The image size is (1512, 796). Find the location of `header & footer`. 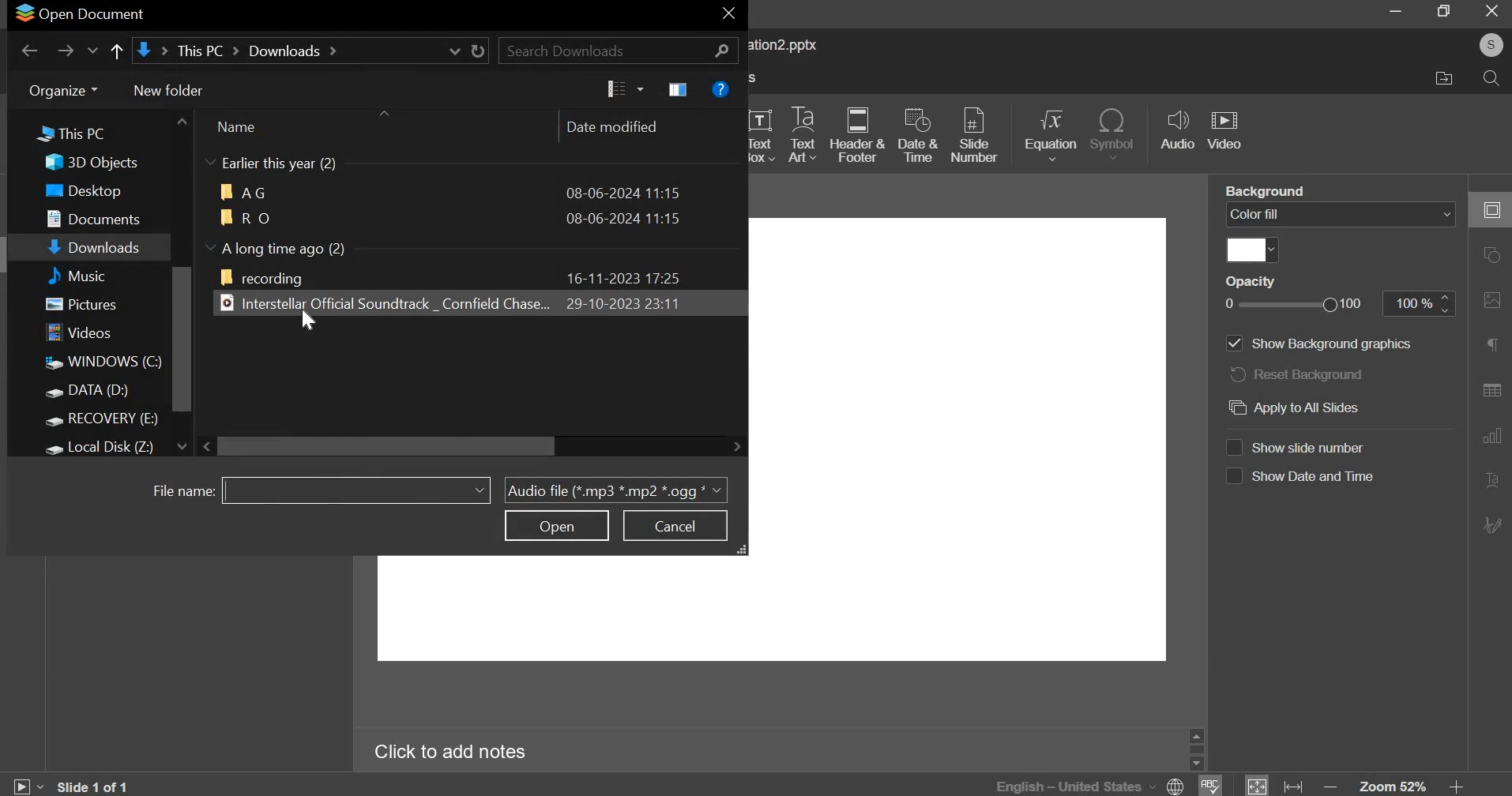

header & footer is located at coordinates (861, 136).